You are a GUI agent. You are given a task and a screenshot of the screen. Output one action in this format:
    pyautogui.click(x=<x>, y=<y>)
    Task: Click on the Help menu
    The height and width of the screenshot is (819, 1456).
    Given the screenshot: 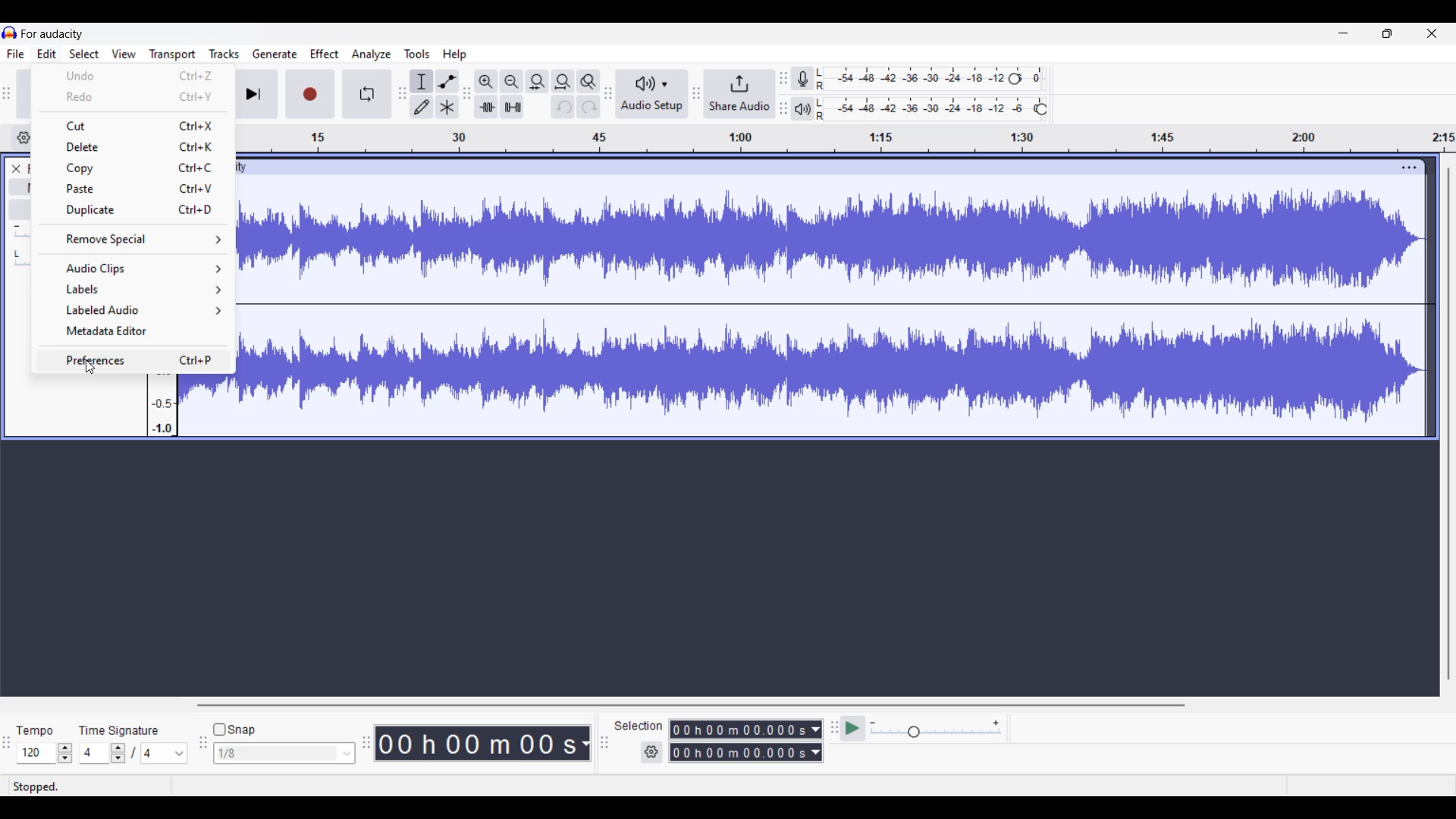 What is the action you would take?
    pyautogui.click(x=454, y=55)
    